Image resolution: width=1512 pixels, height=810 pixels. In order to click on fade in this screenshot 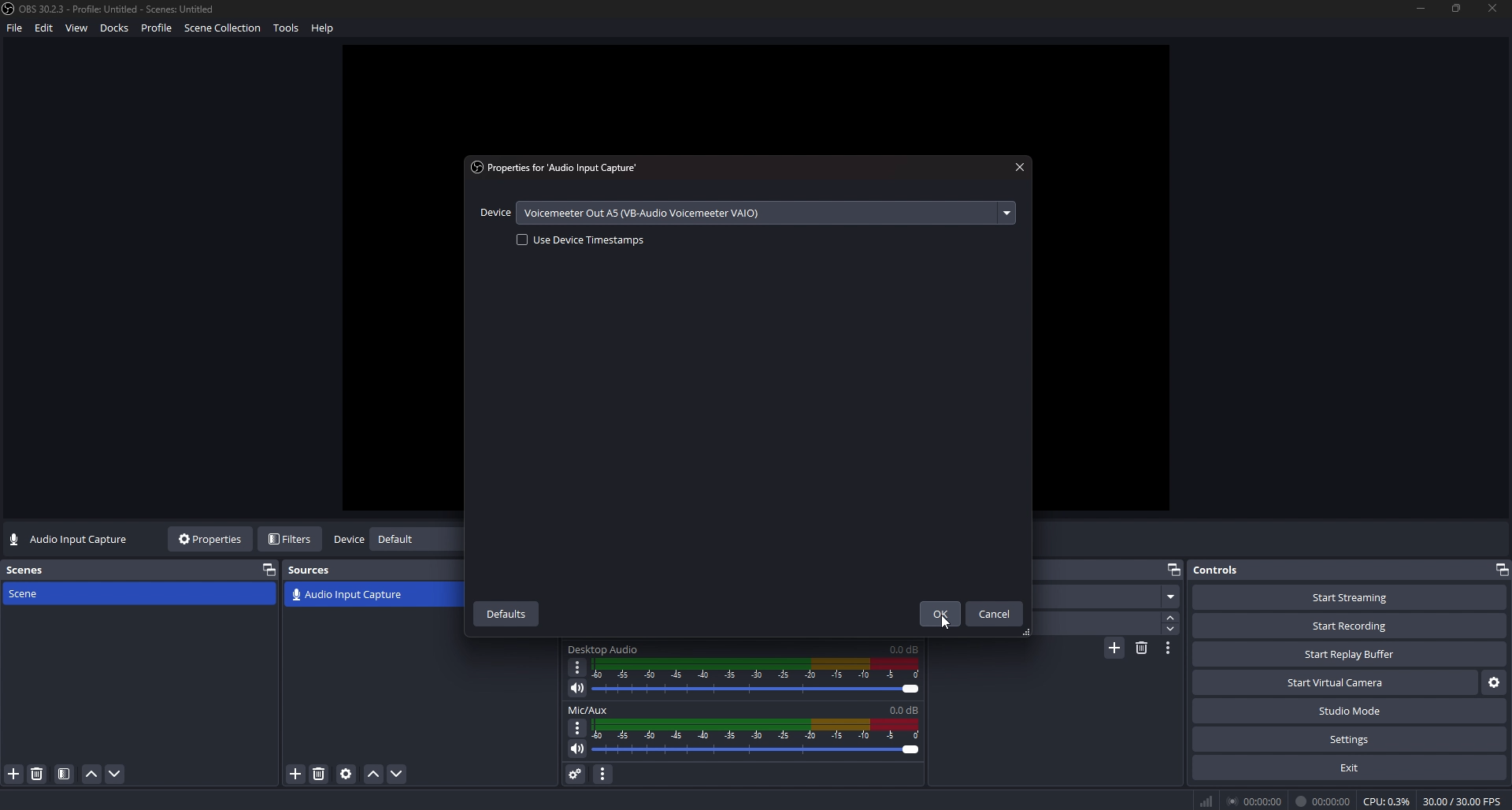, I will do `click(1106, 598)`.